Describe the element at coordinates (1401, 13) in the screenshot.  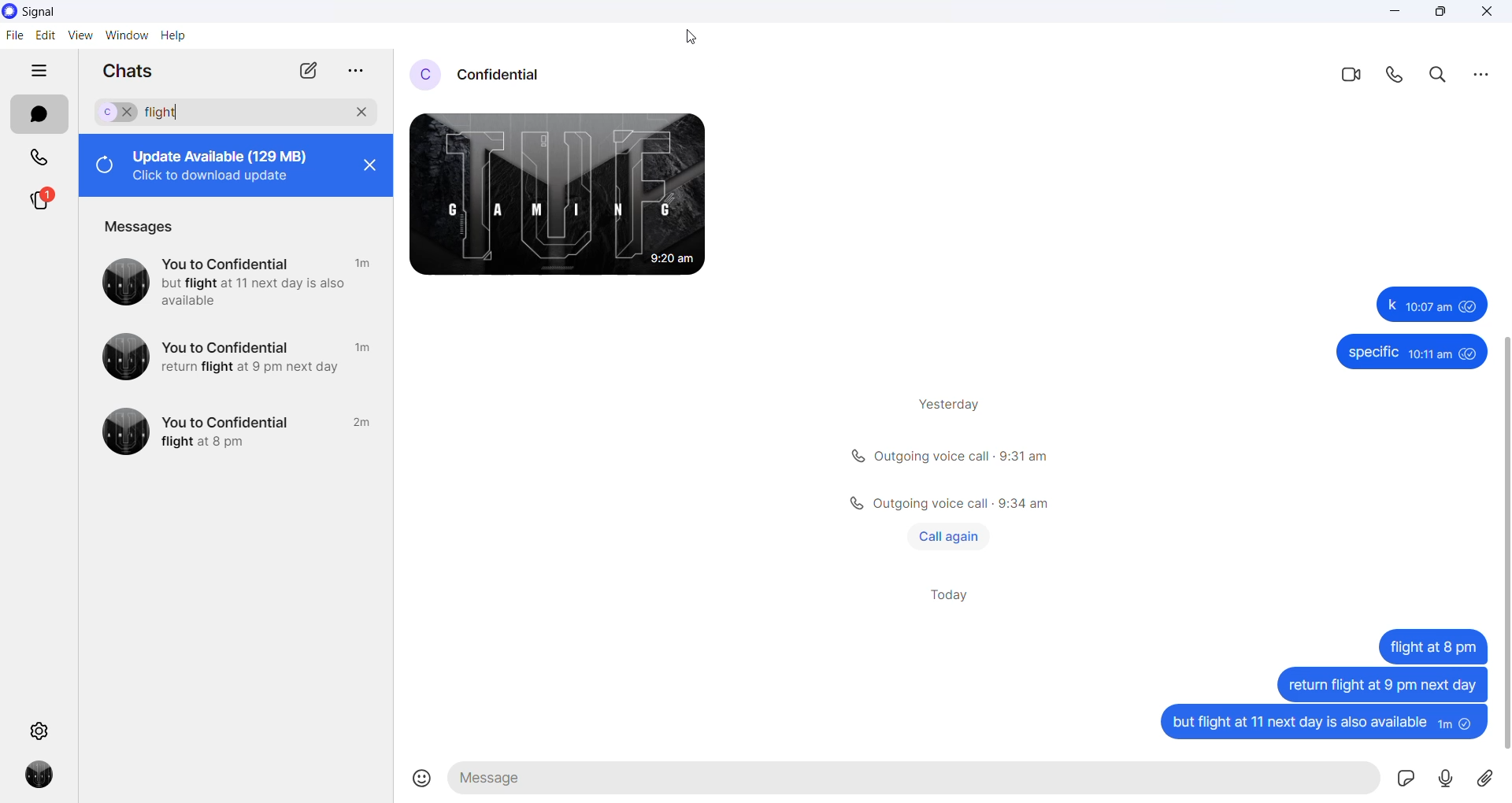
I see `minimize` at that location.